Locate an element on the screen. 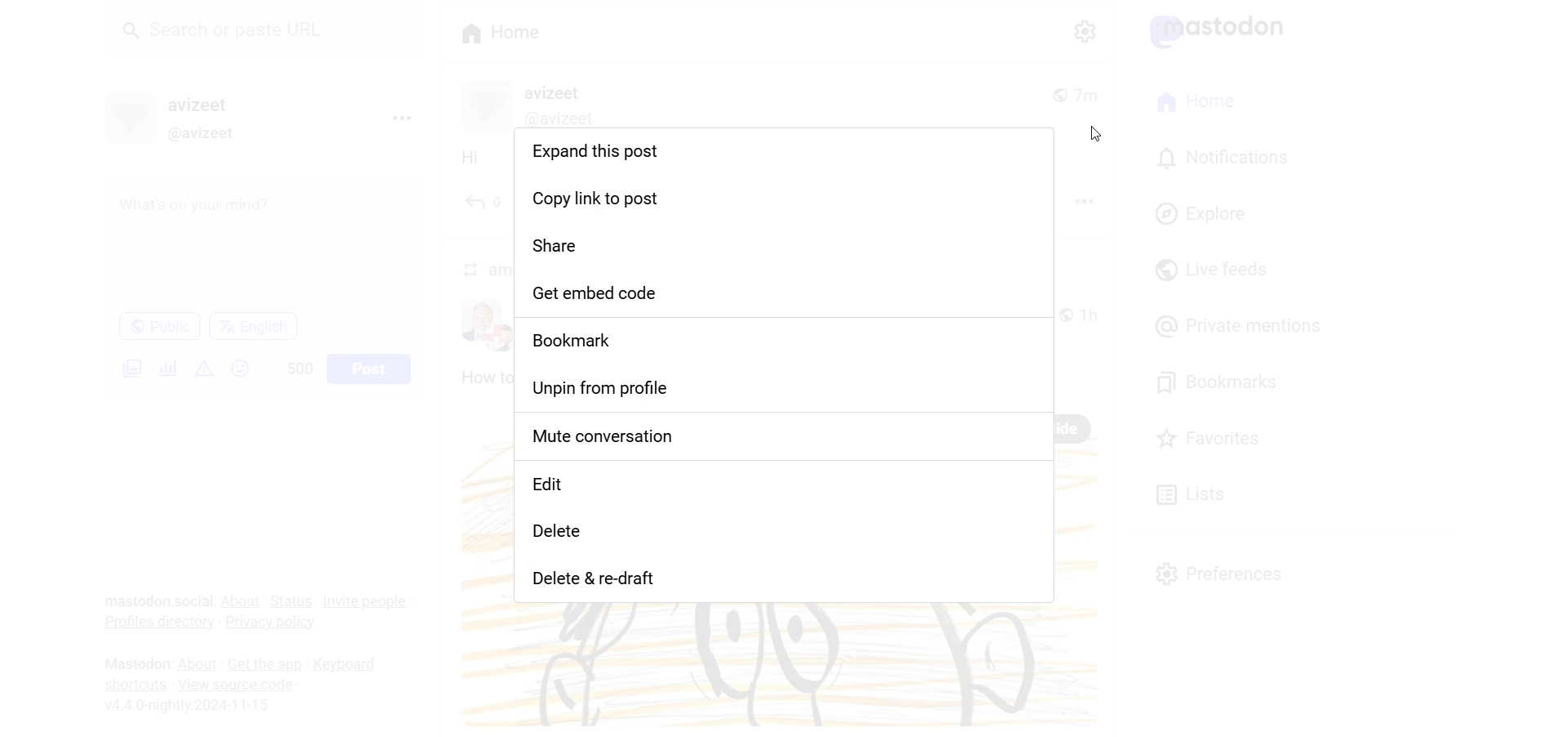  Shortcuts is located at coordinates (135, 683).